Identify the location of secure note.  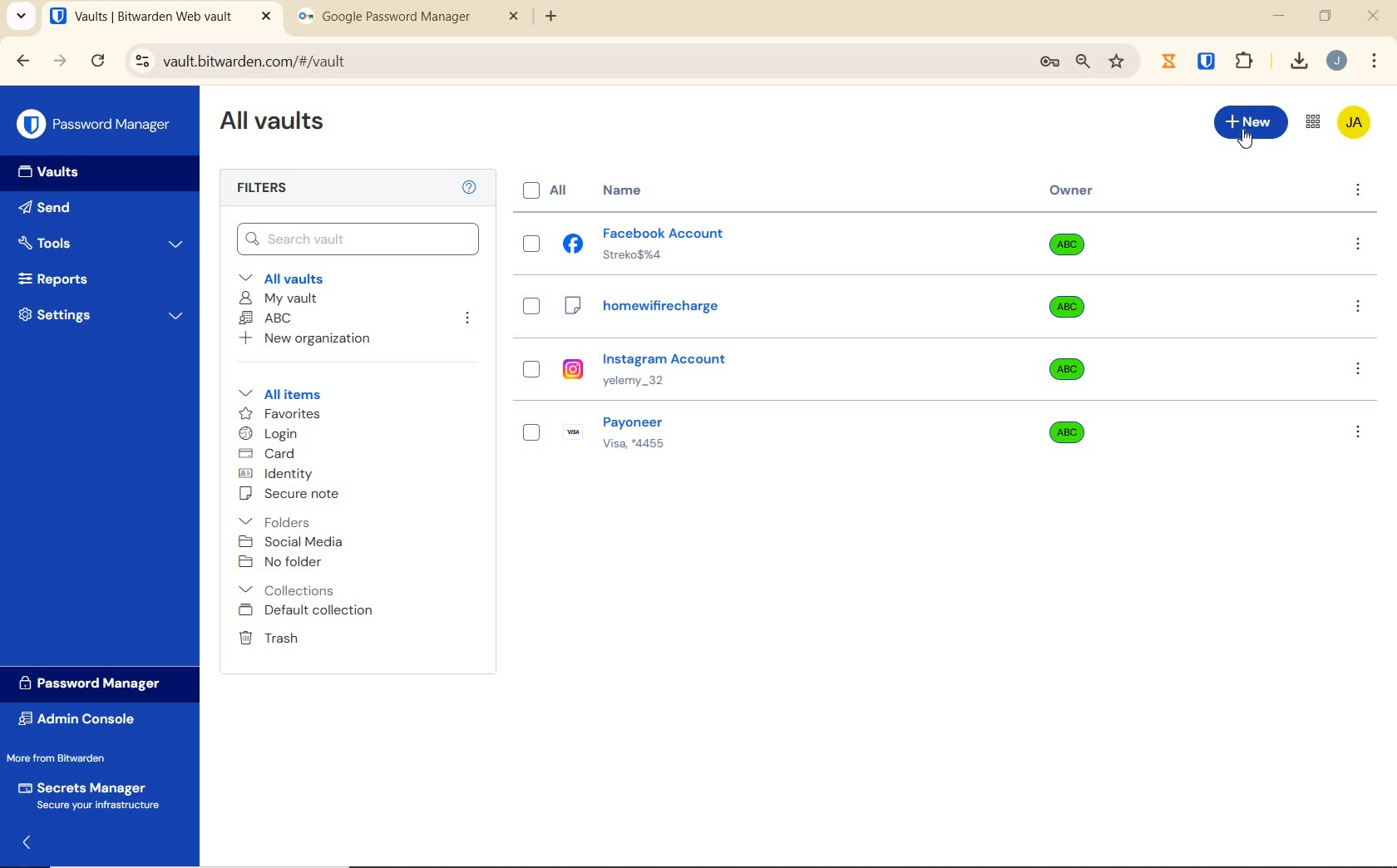
(294, 494).